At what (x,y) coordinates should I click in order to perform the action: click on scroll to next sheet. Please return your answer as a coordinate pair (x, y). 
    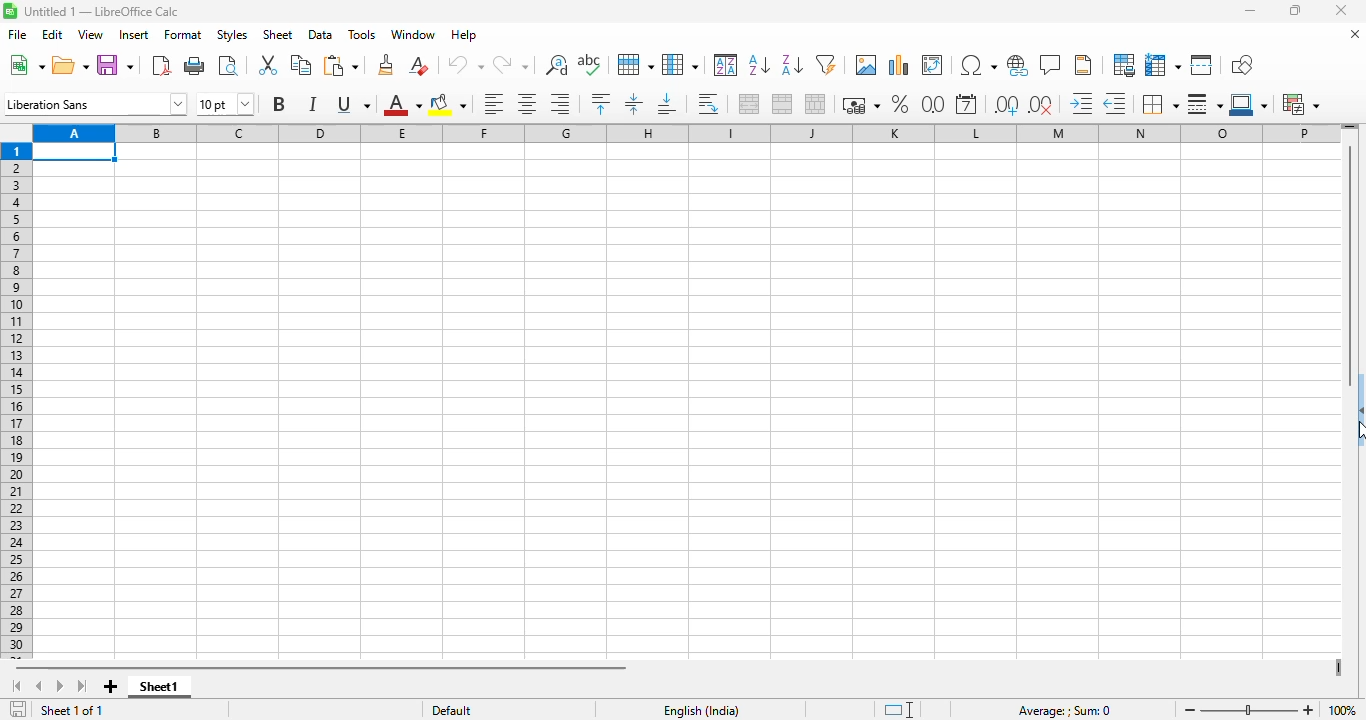
    Looking at the image, I should click on (61, 687).